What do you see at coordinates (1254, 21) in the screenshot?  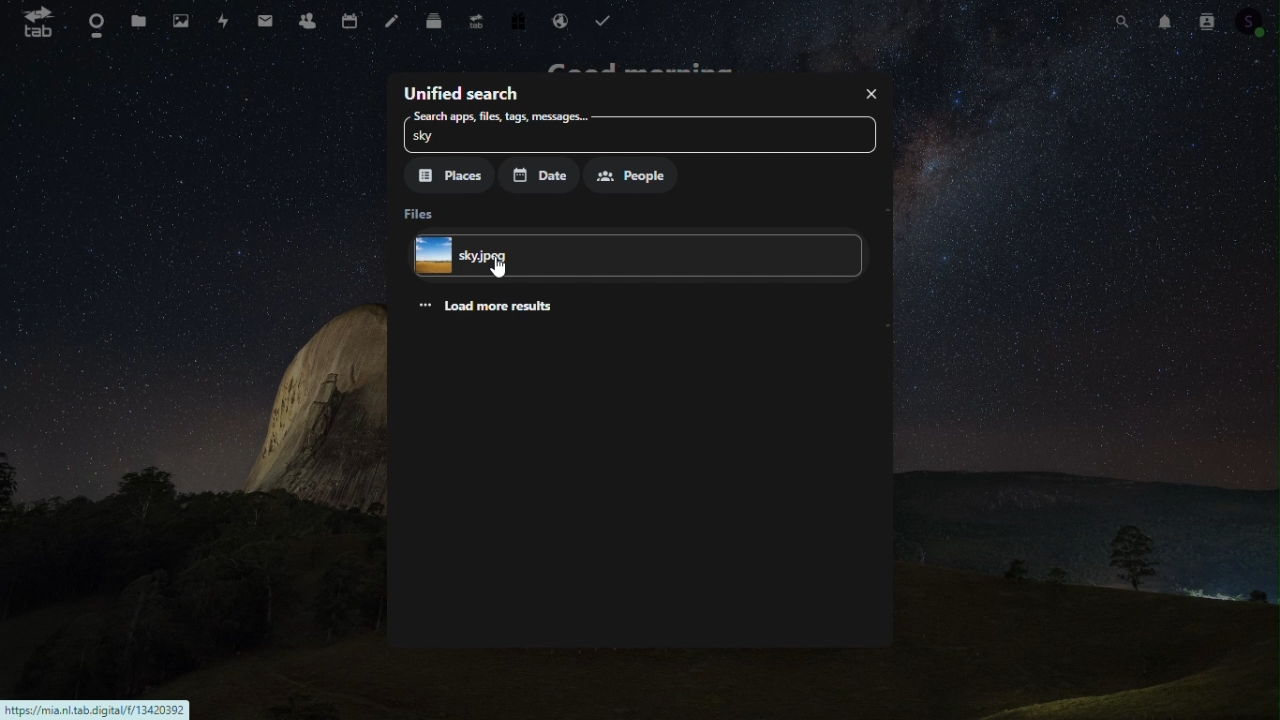 I see `Account icon ` at bounding box center [1254, 21].